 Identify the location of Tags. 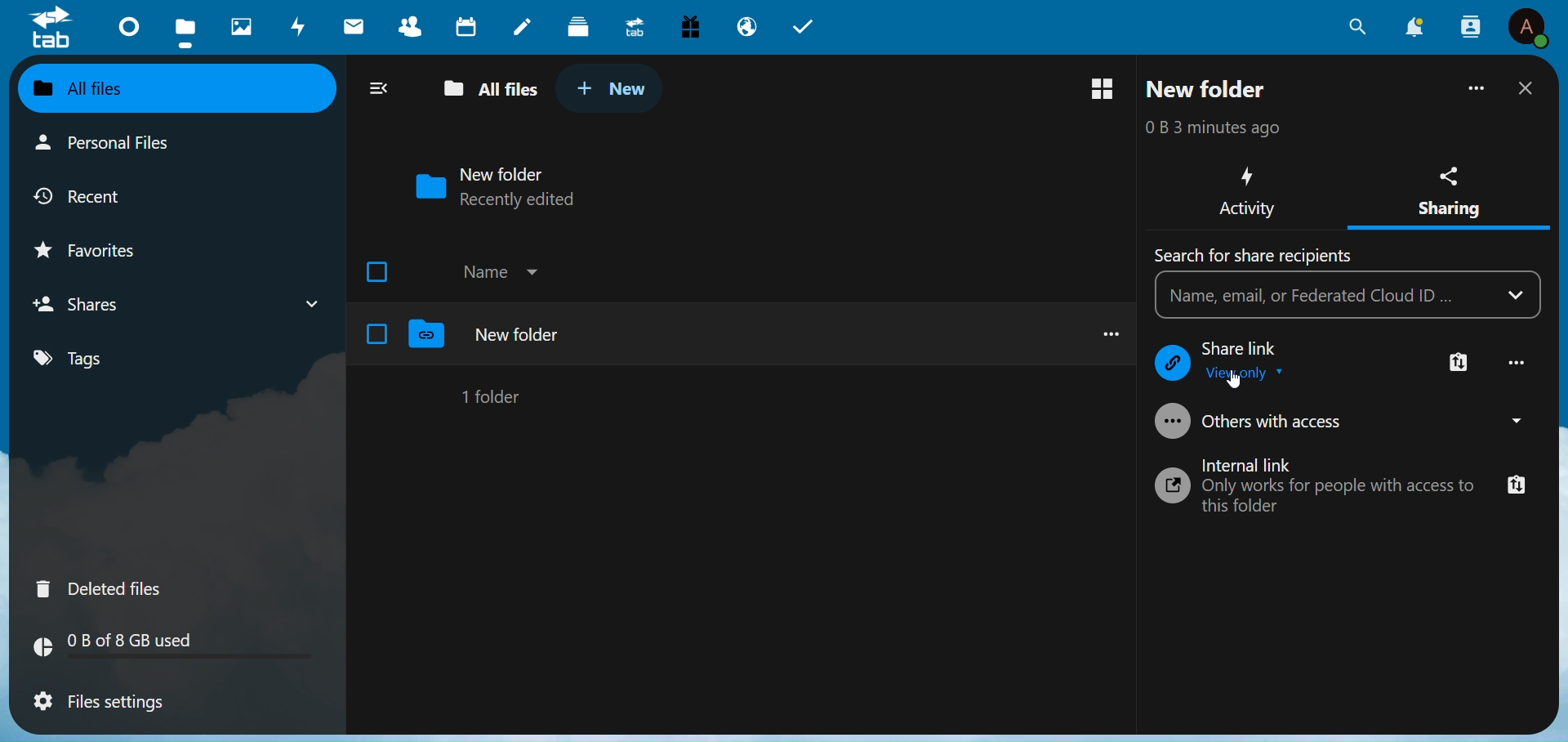
(100, 360).